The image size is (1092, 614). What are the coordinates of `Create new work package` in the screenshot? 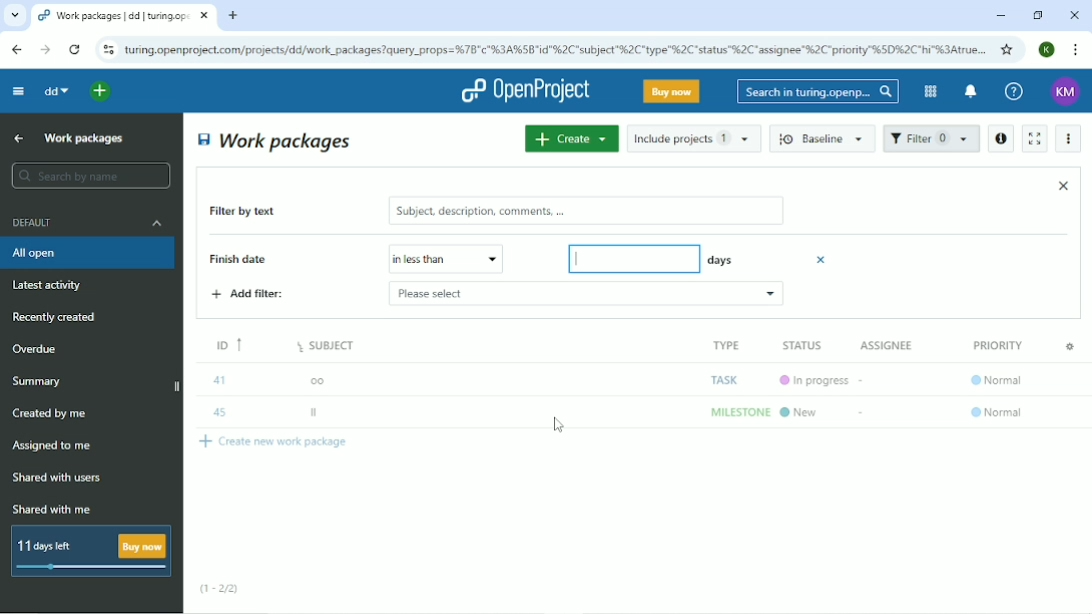 It's located at (277, 446).